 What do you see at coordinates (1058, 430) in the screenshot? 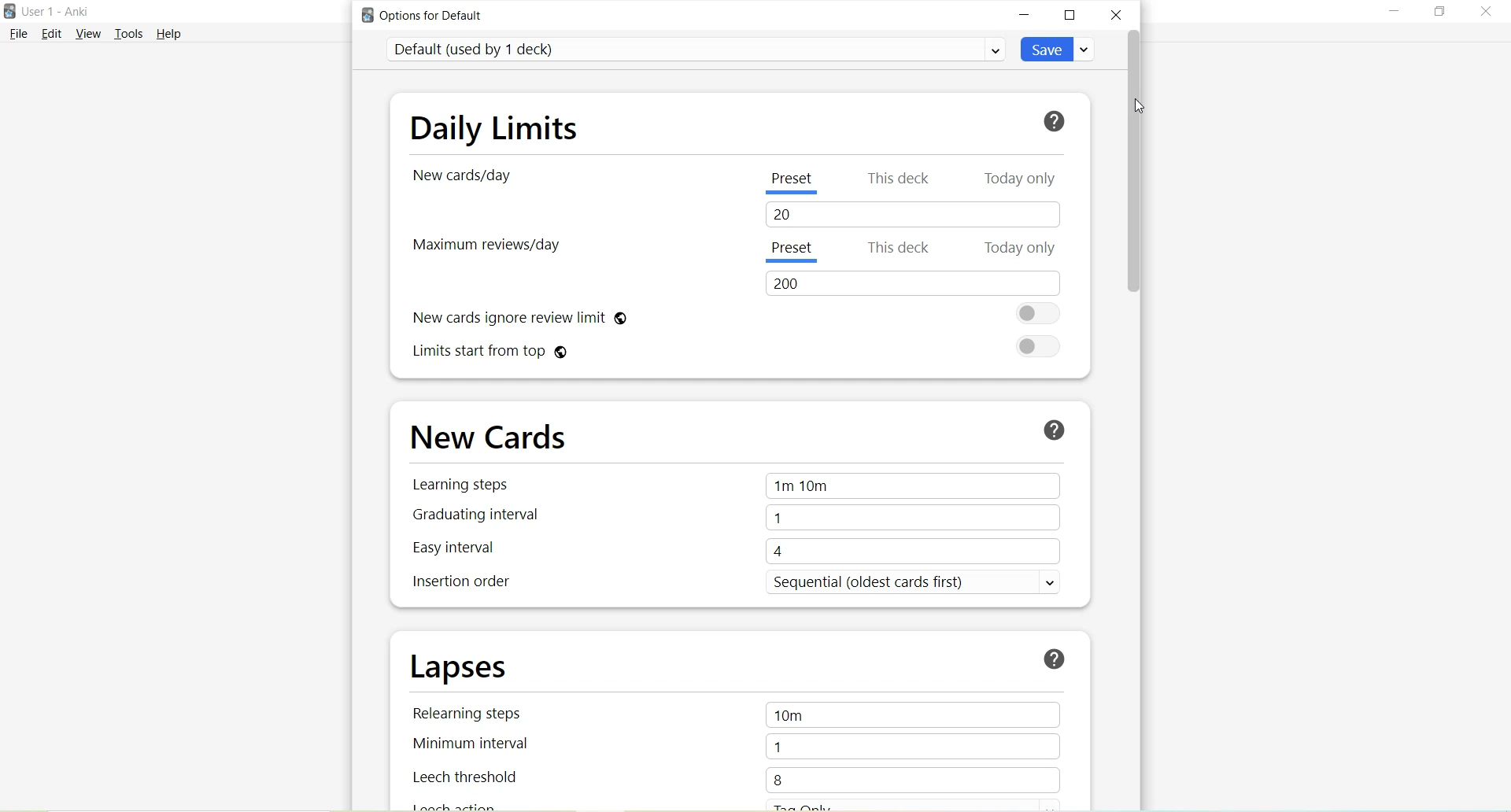
I see `What's this?` at bounding box center [1058, 430].